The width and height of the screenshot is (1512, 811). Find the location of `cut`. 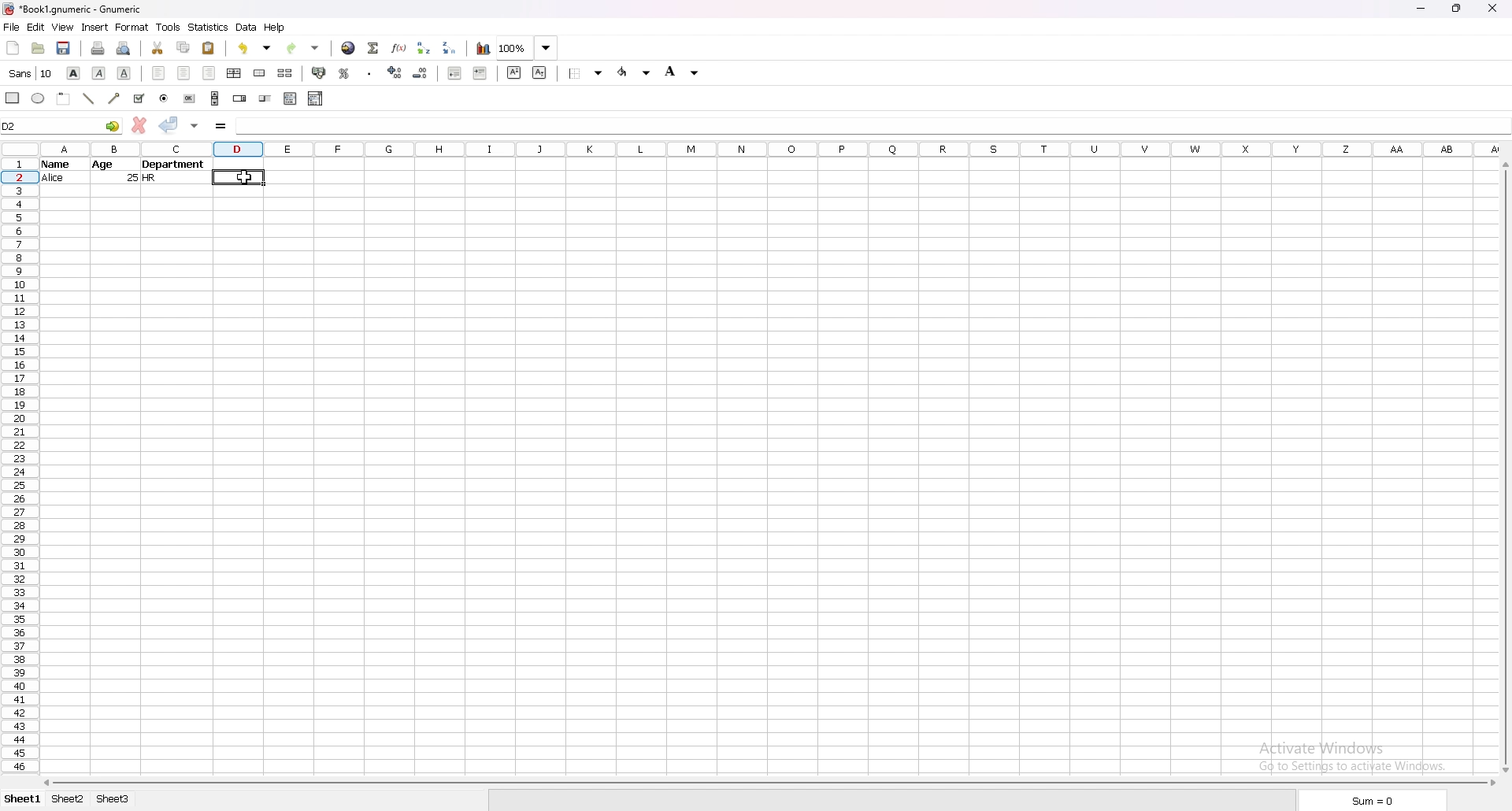

cut is located at coordinates (157, 48).